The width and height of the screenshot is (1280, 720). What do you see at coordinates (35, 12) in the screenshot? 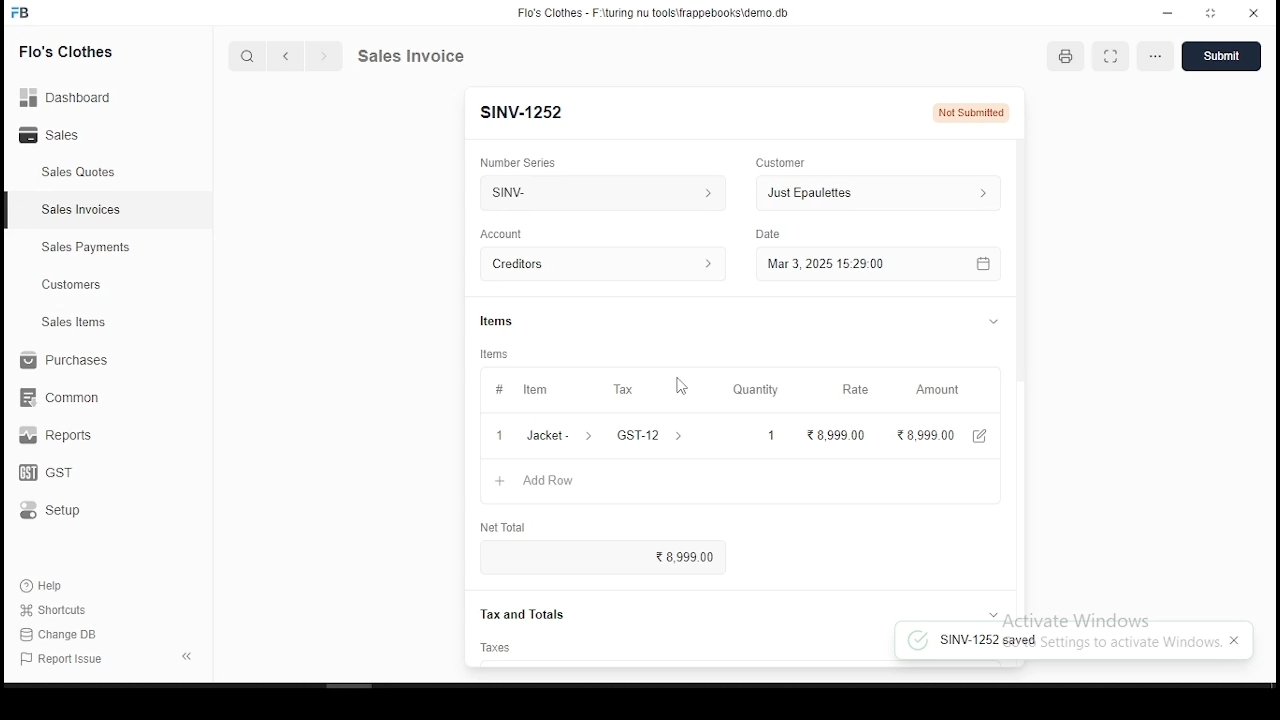
I see `FB` at bounding box center [35, 12].